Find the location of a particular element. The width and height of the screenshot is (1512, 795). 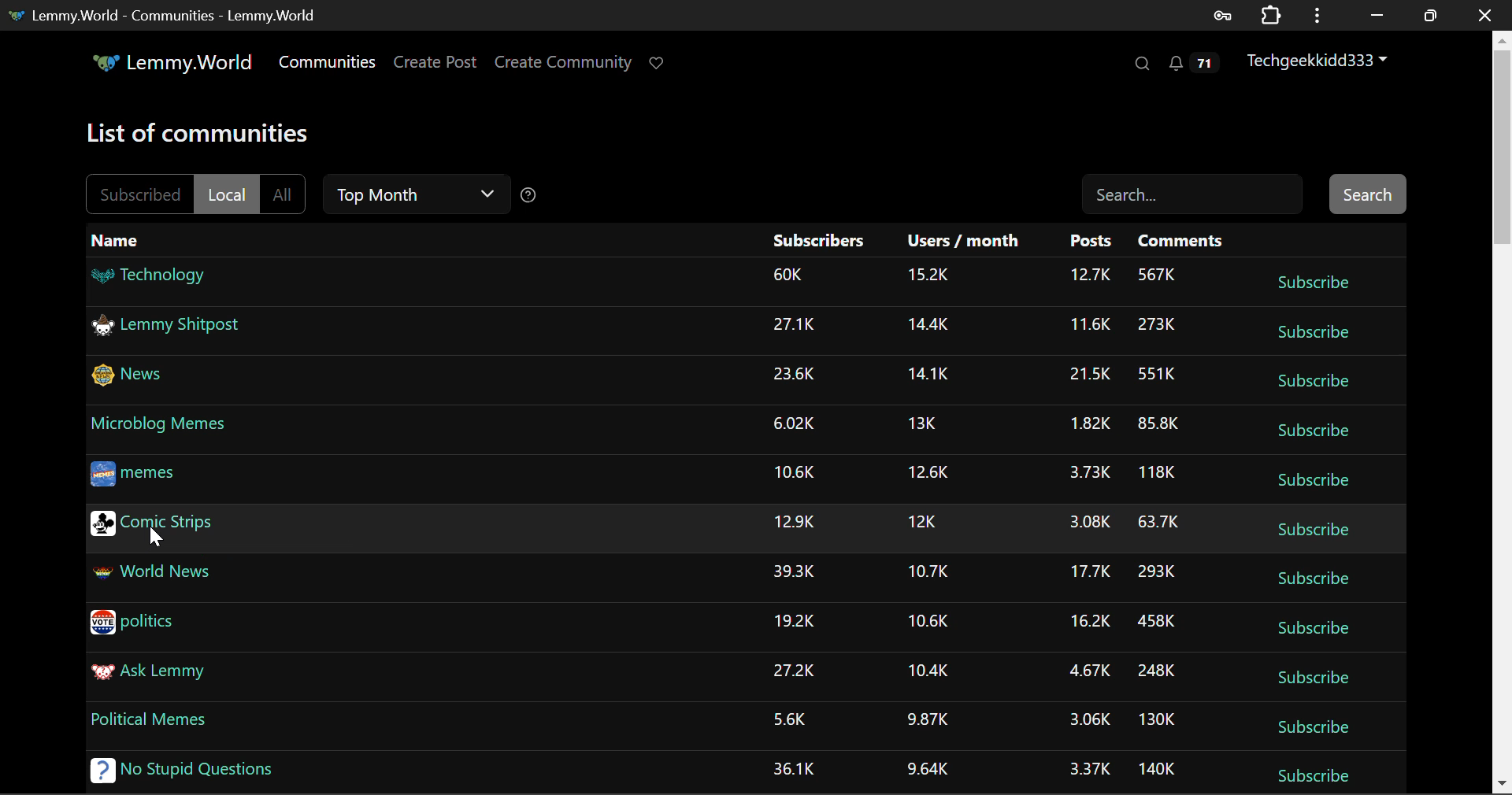

Cursor Position is located at coordinates (155, 535).